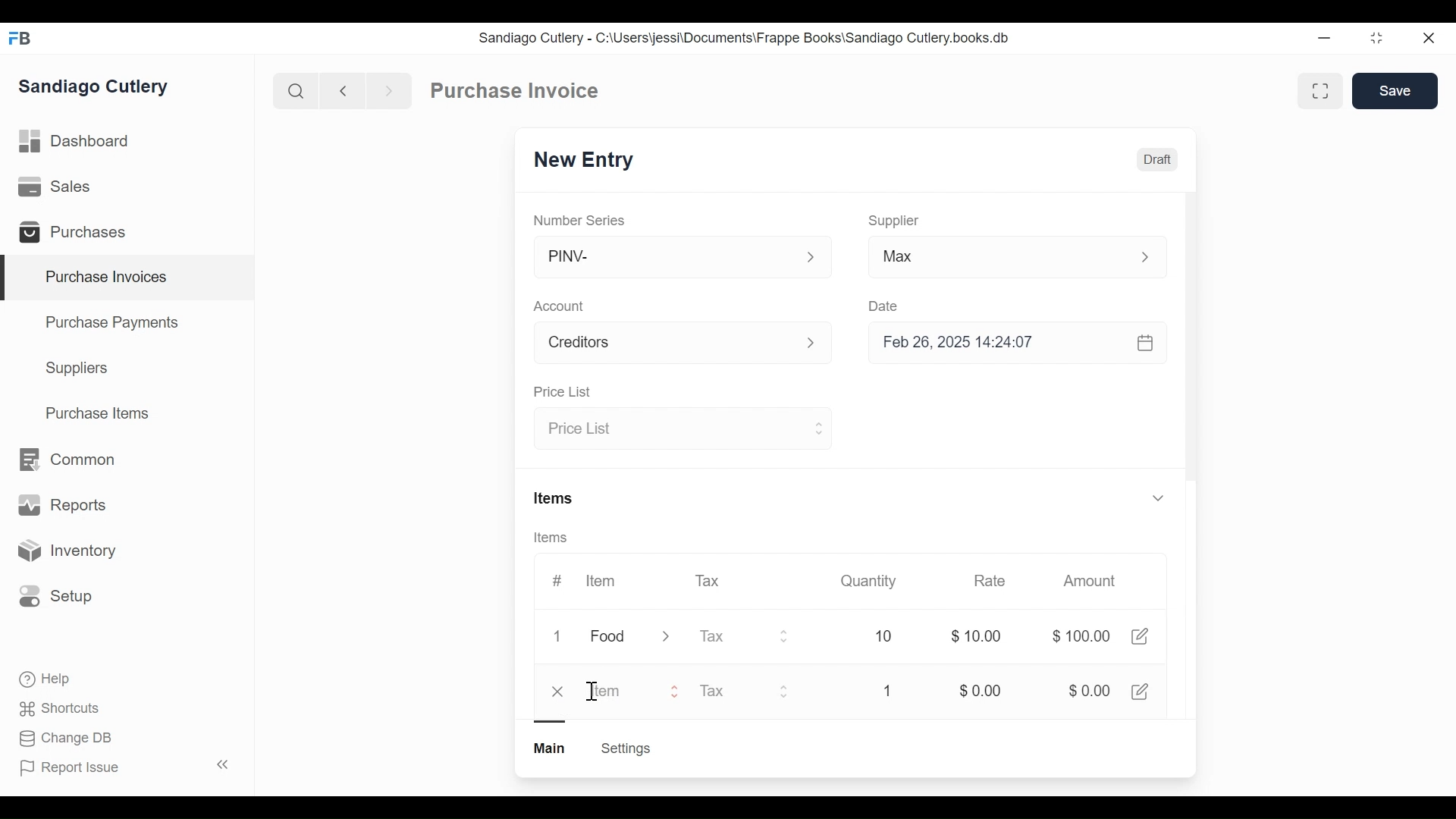  What do you see at coordinates (730, 636) in the screenshot?
I see `Tax` at bounding box center [730, 636].